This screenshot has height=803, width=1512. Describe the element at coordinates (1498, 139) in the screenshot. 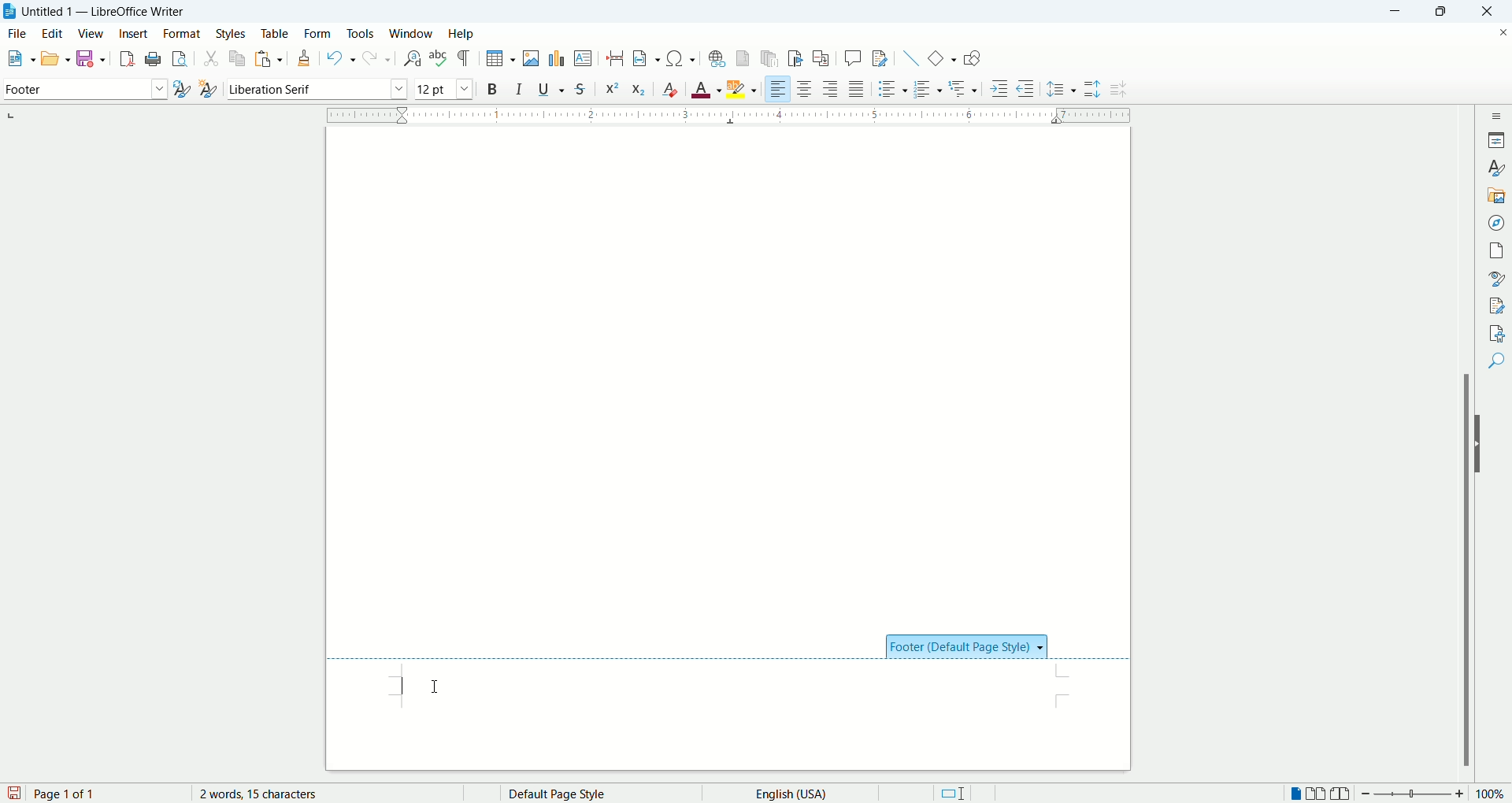

I see `properties` at that location.